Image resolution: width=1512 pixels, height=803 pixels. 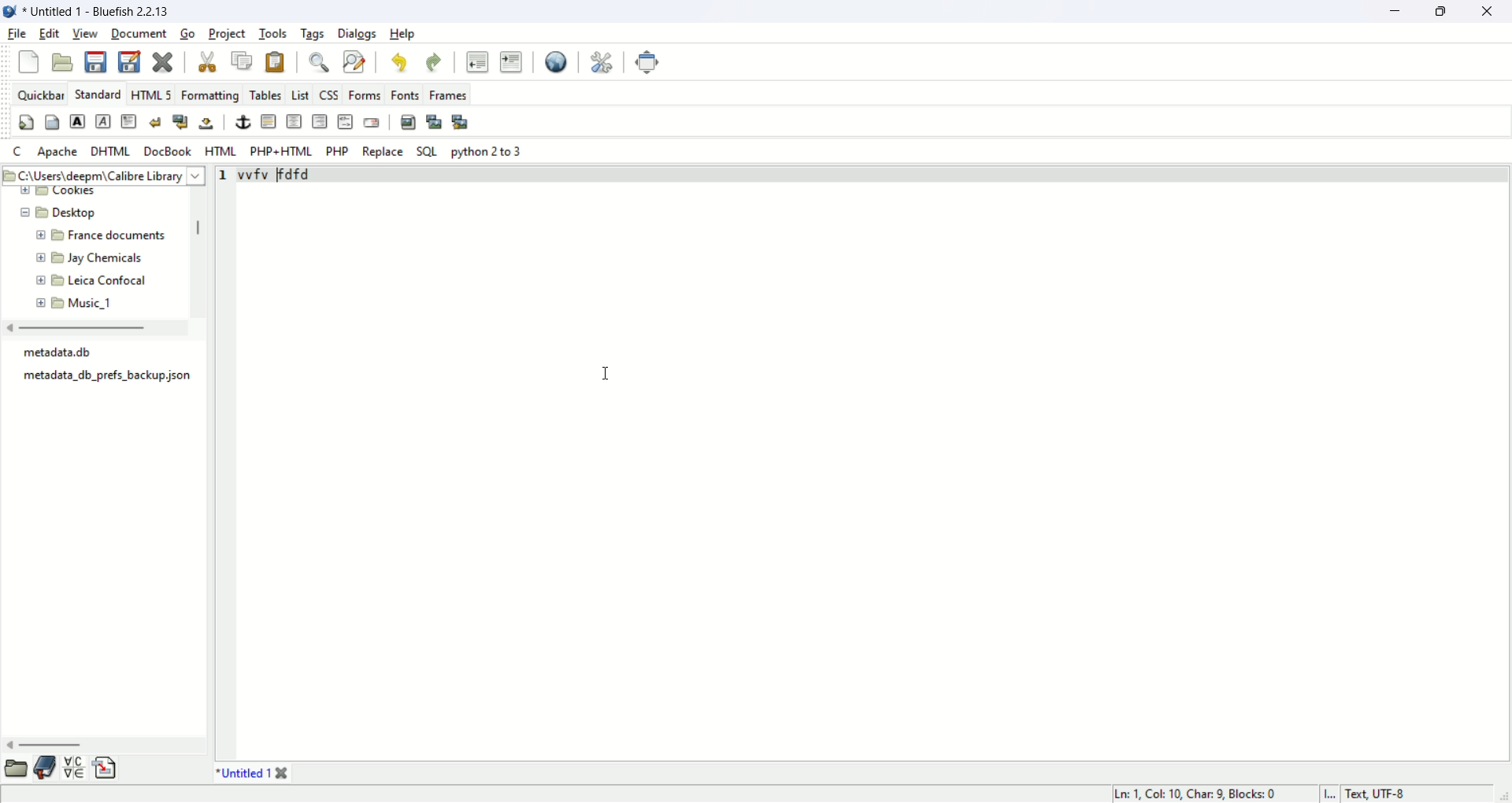 What do you see at coordinates (98, 233) in the screenshot?
I see `folder name` at bounding box center [98, 233].